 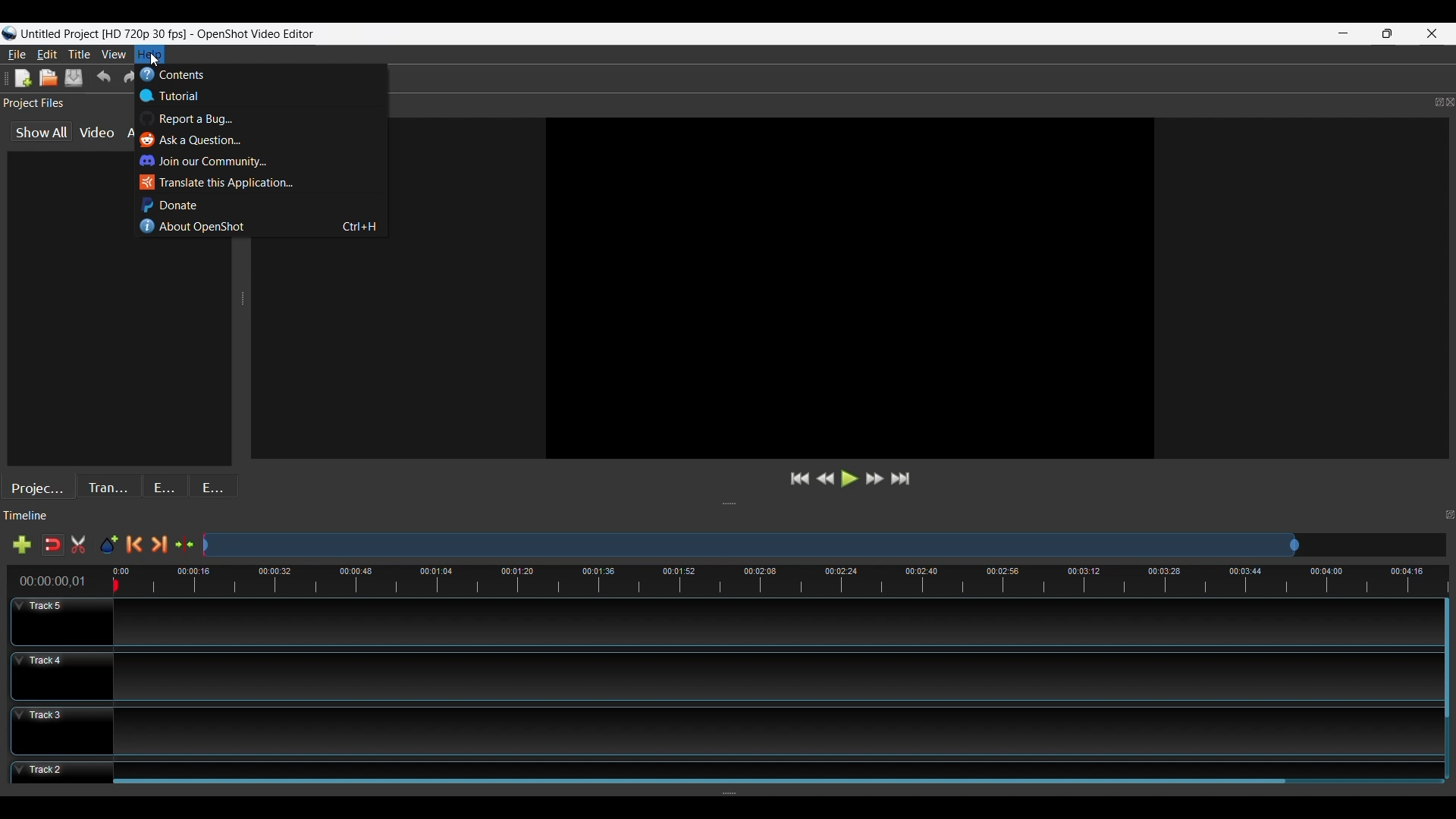 What do you see at coordinates (75, 78) in the screenshot?
I see `Save Project` at bounding box center [75, 78].